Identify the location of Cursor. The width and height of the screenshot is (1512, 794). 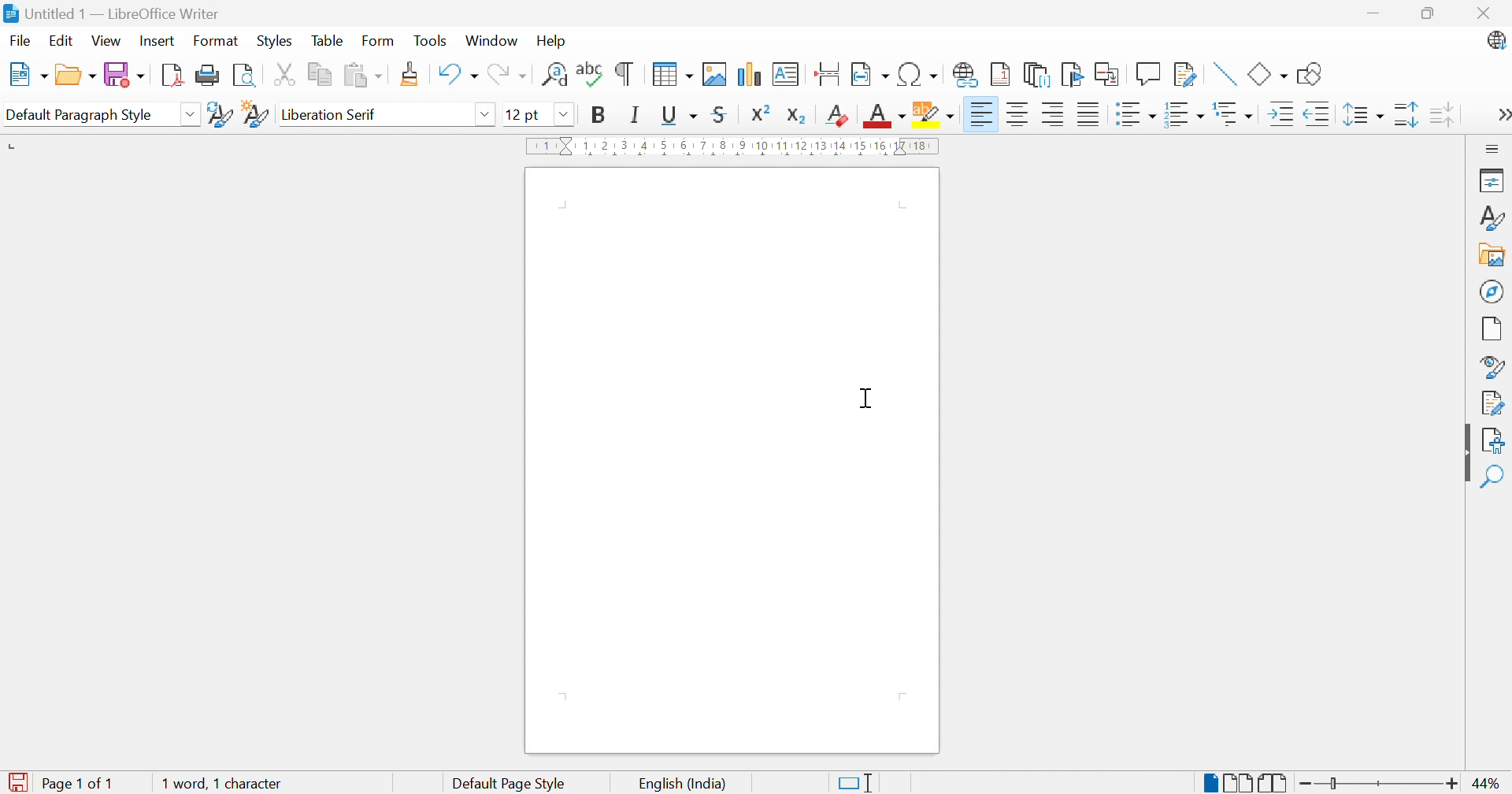
(865, 401).